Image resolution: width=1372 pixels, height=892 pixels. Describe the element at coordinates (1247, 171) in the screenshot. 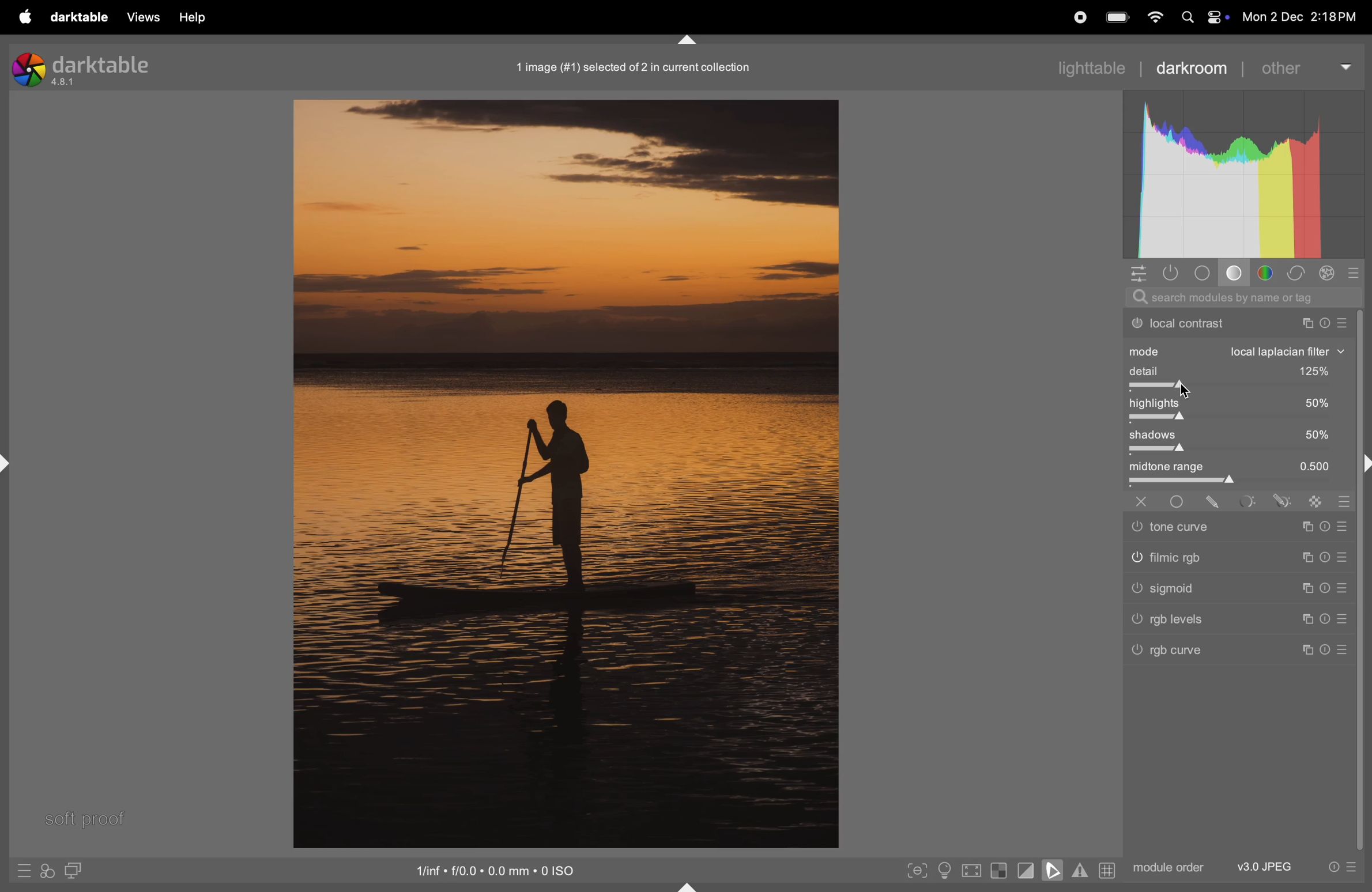

I see `histogram` at that location.